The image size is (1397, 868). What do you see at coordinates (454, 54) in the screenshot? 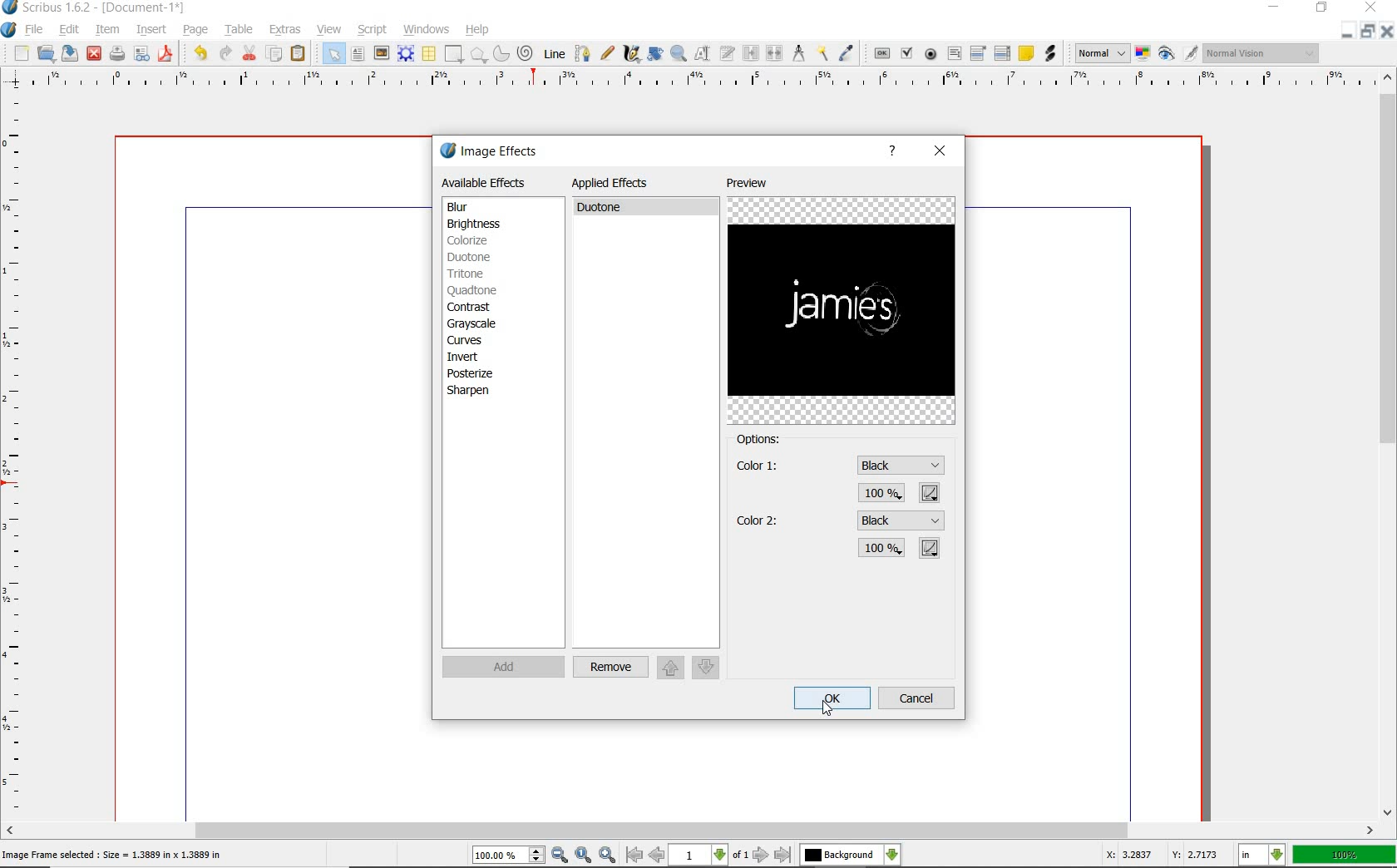
I see `SHAPE` at bounding box center [454, 54].